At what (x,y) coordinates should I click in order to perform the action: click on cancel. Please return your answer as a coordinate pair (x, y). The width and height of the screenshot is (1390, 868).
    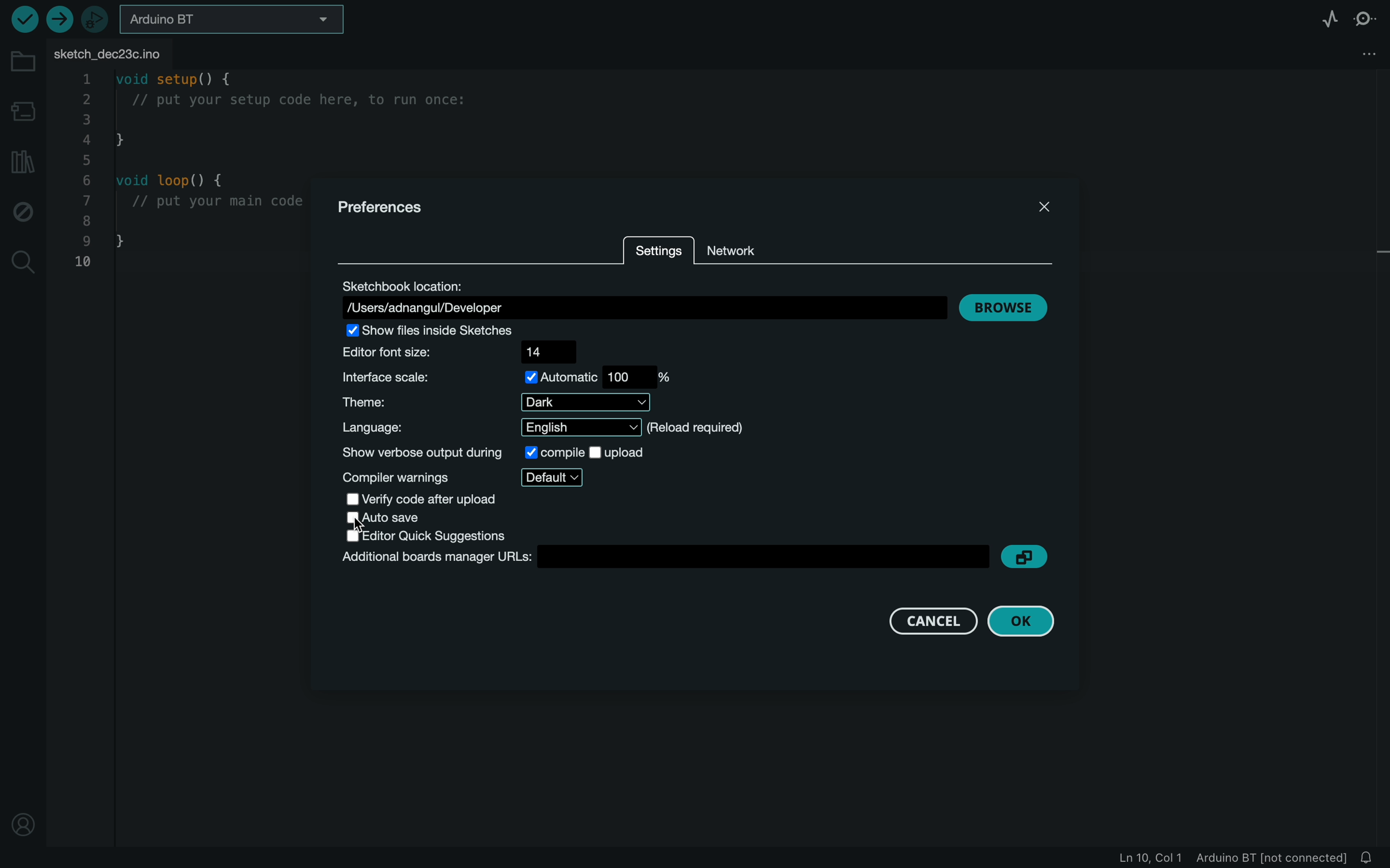
    Looking at the image, I should click on (918, 621).